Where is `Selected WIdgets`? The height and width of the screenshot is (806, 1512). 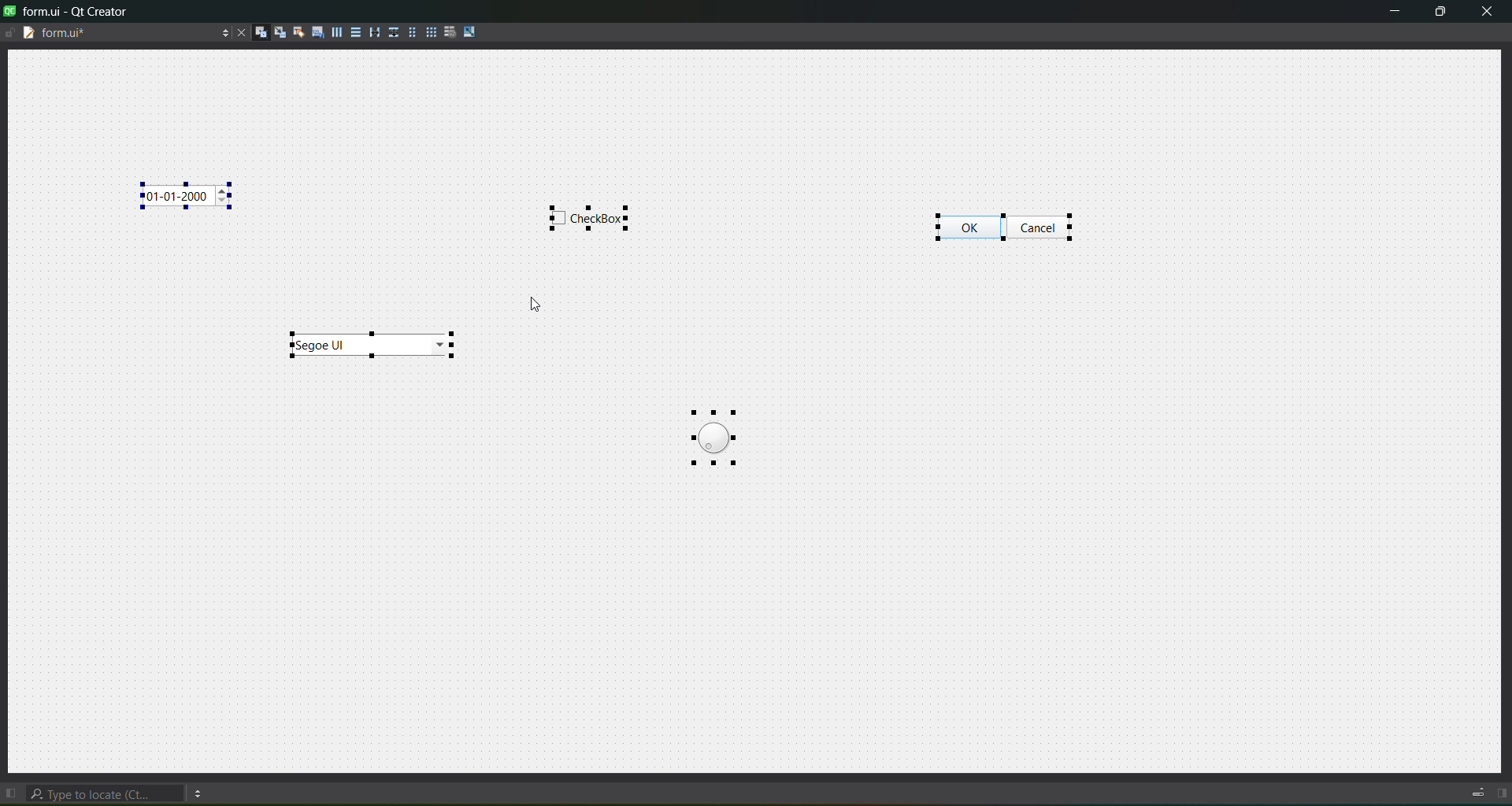 Selected WIdgets is located at coordinates (186, 194).